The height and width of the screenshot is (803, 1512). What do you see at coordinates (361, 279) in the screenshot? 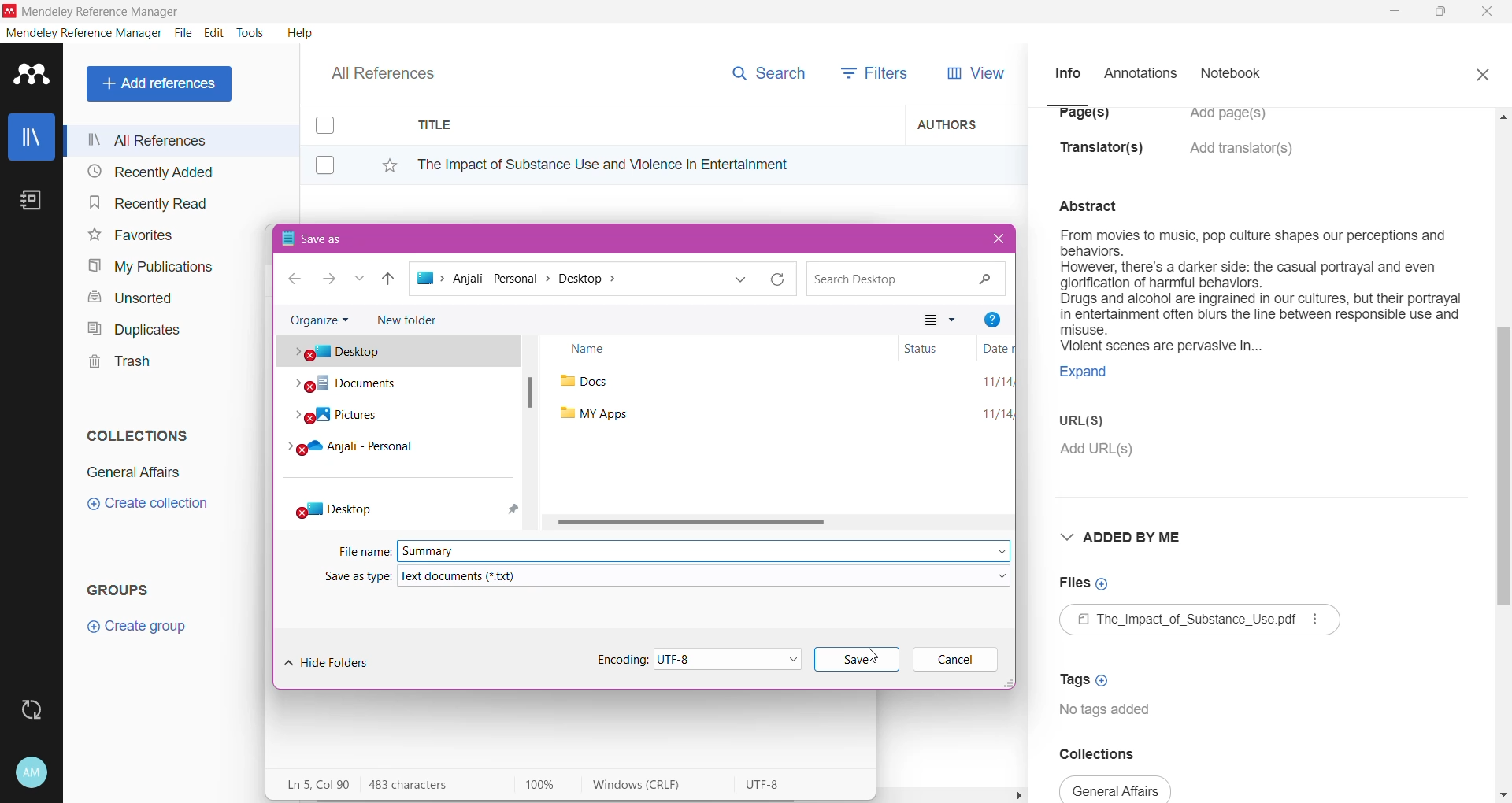
I see `Recent locations` at bounding box center [361, 279].